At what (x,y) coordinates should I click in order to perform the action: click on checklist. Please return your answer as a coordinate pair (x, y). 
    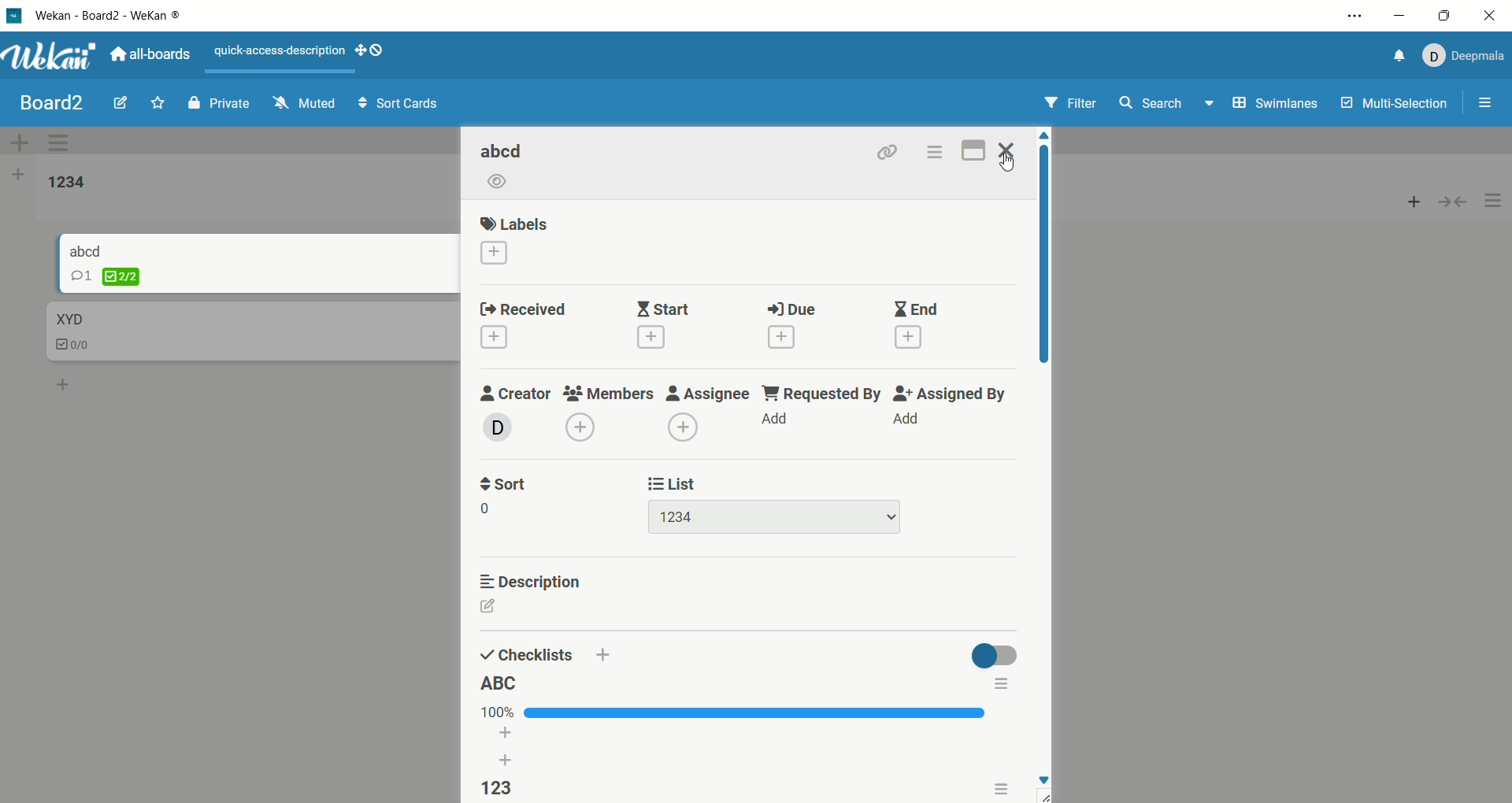
    Looking at the image, I should click on (72, 341).